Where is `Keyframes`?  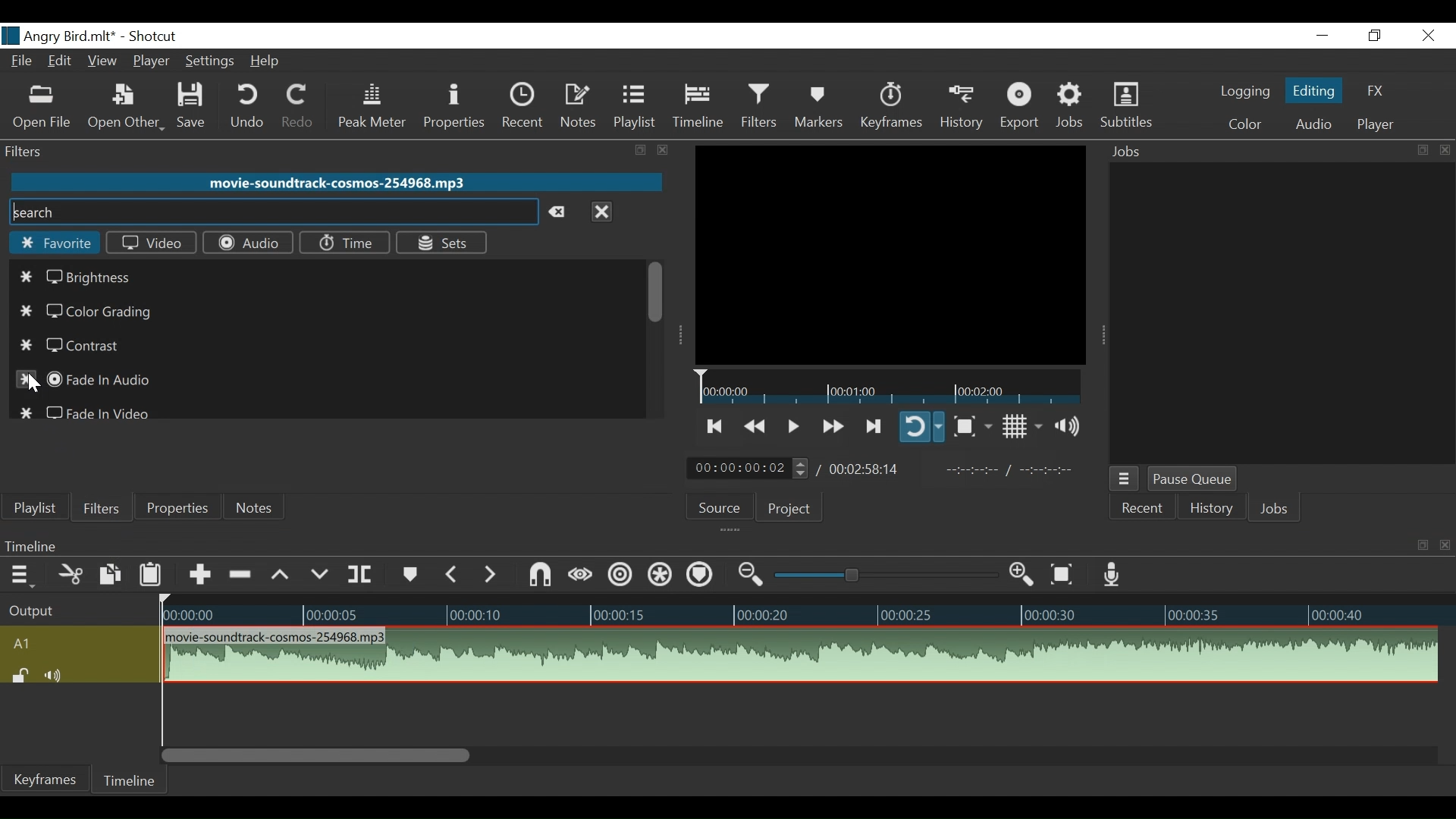
Keyframes is located at coordinates (46, 779).